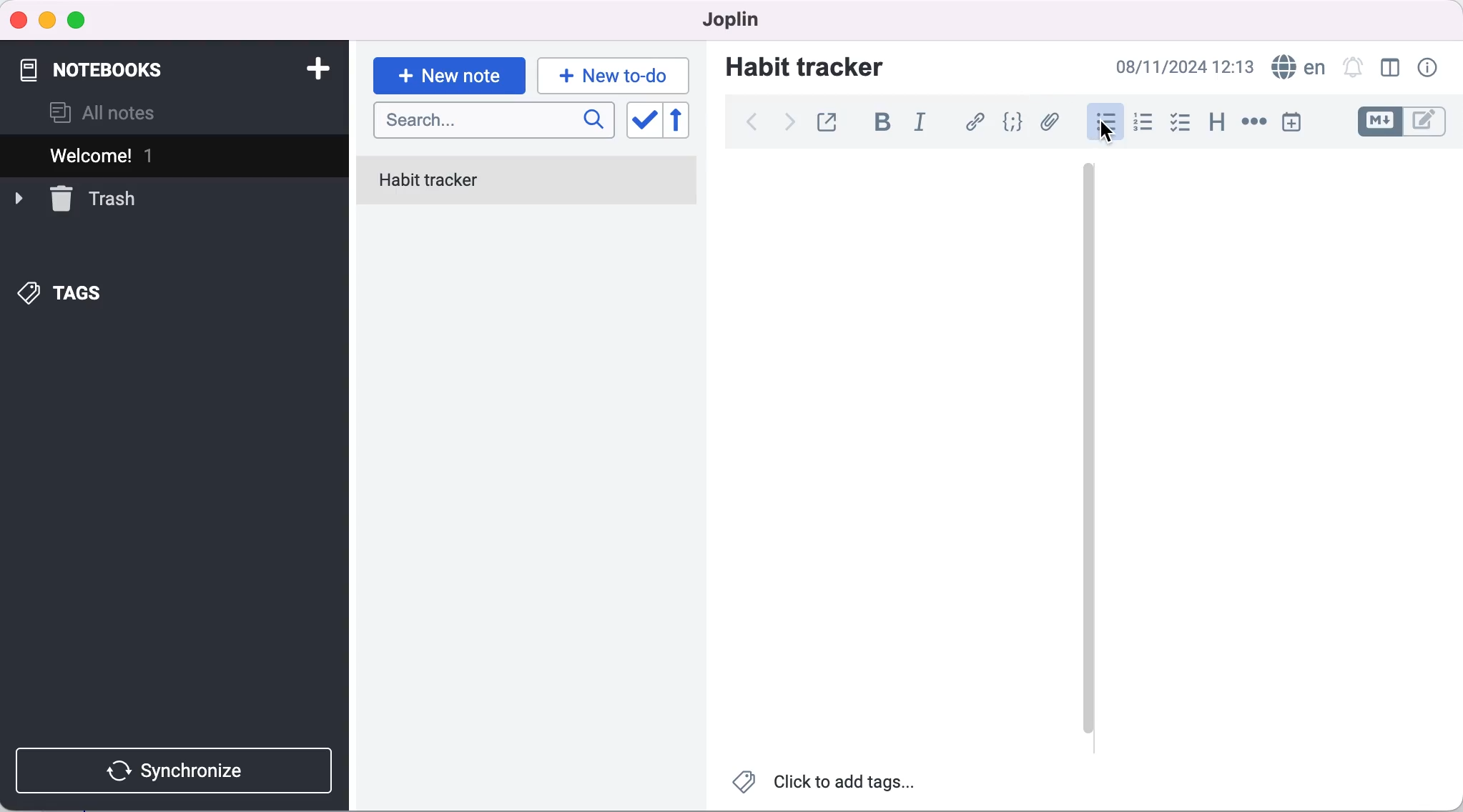  I want to click on blank canvas, so click(897, 454).